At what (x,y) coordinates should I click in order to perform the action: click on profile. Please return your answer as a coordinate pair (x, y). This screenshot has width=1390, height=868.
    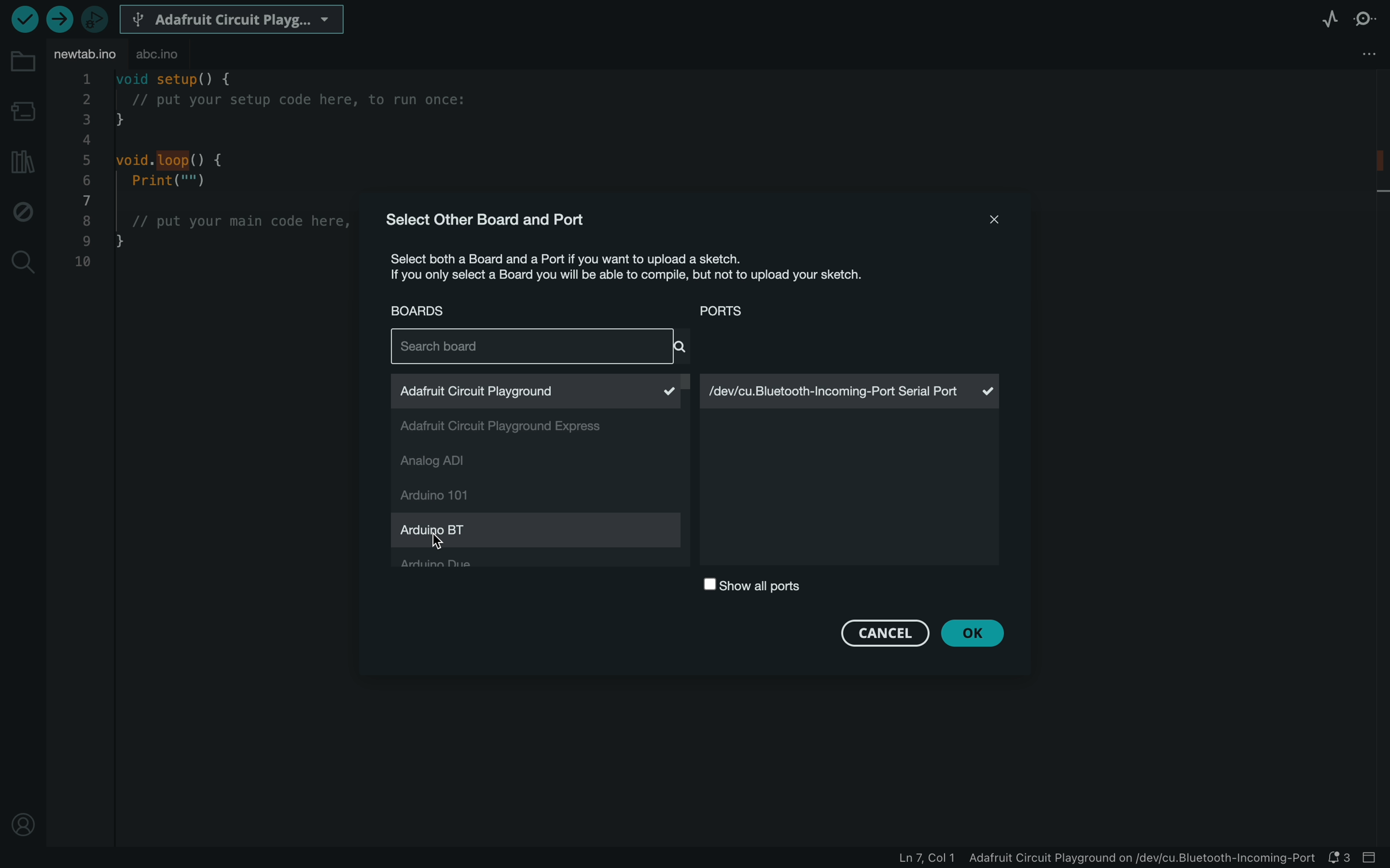
    Looking at the image, I should click on (26, 824).